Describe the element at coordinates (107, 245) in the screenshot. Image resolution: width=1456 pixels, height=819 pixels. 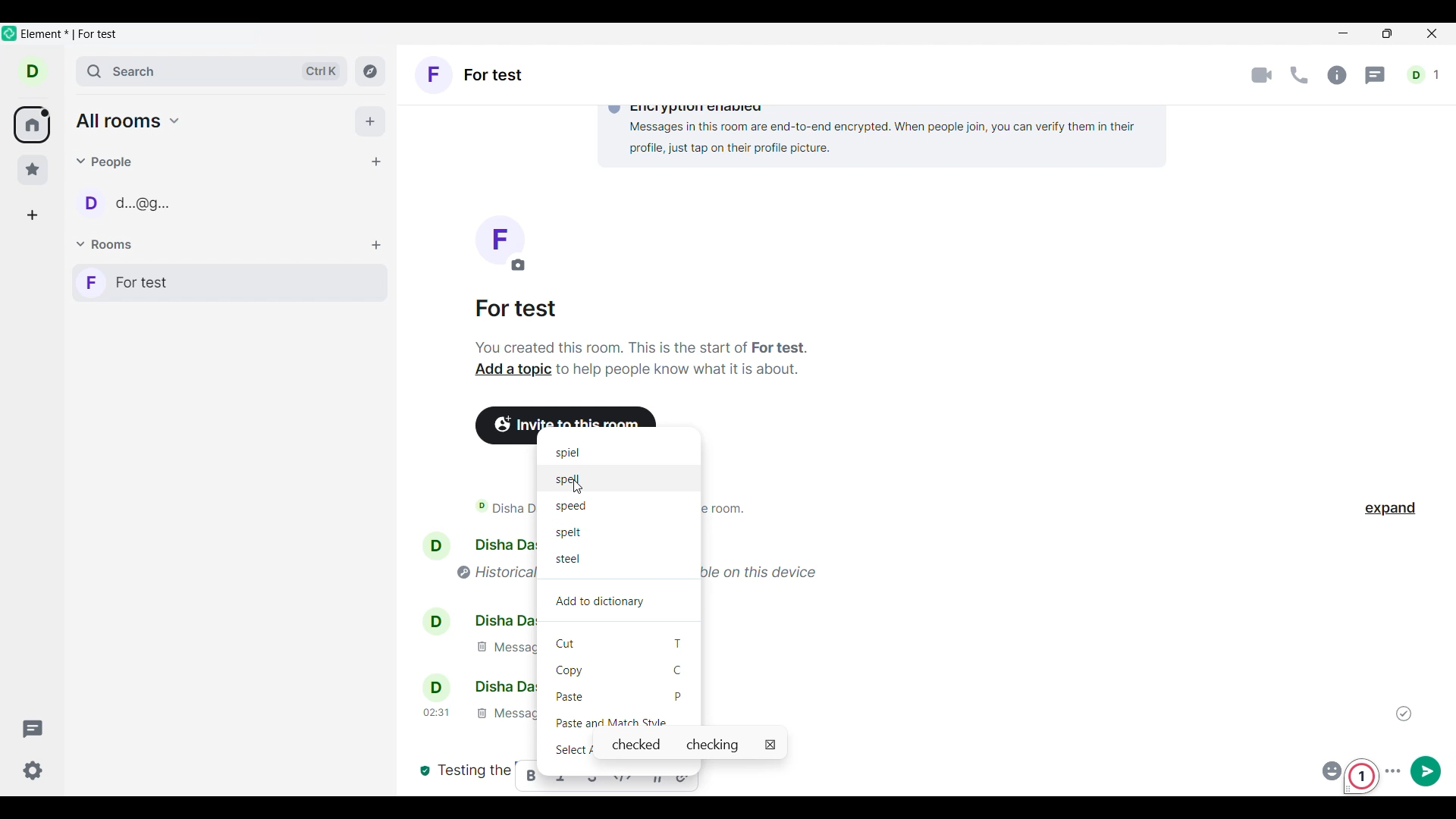
I see `Rooms` at that location.